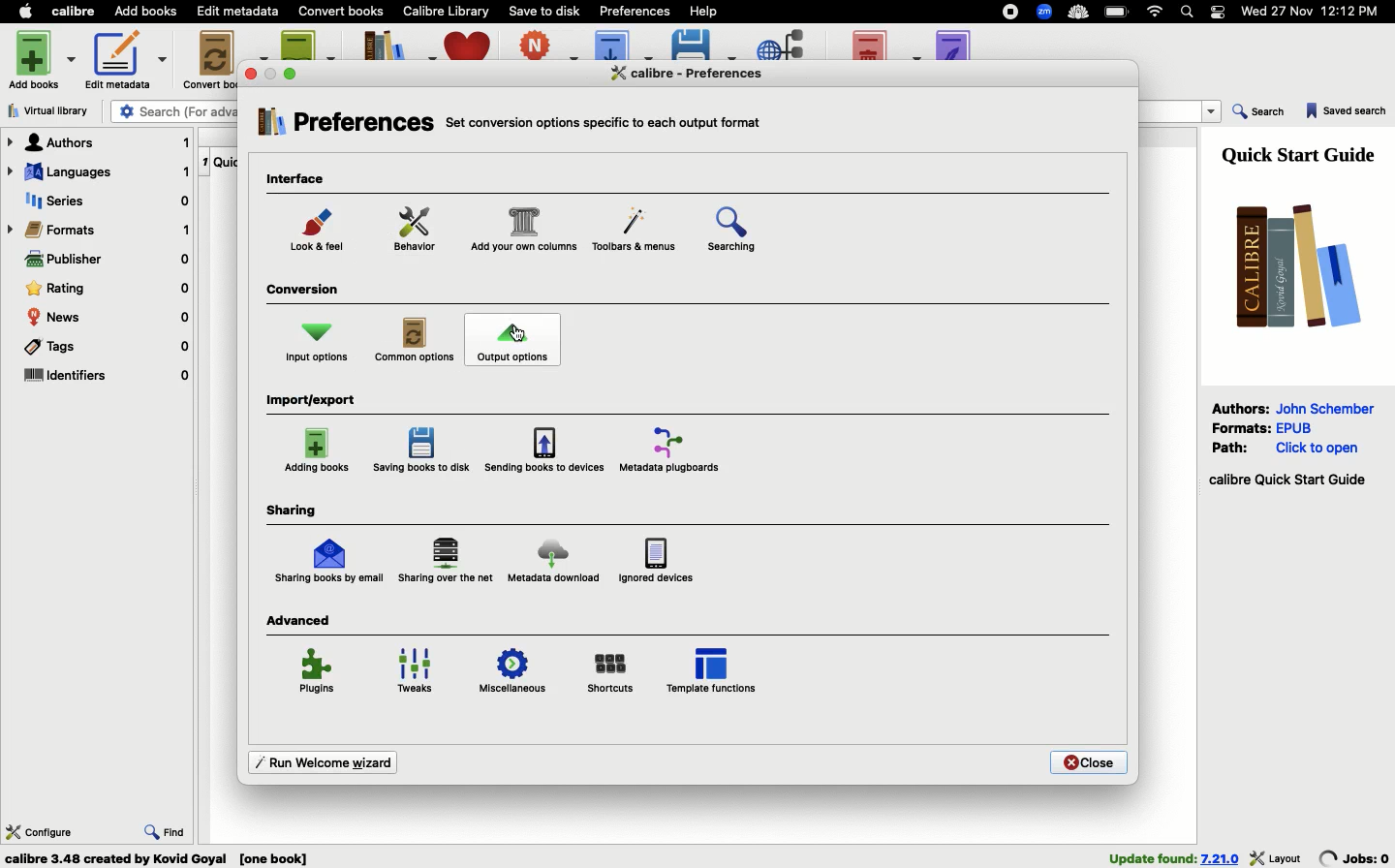 The image size is (1395, 868). What do you see at coordinates (108, 318) in the screenshot?
I see `News` at bounding box center [108, 318].